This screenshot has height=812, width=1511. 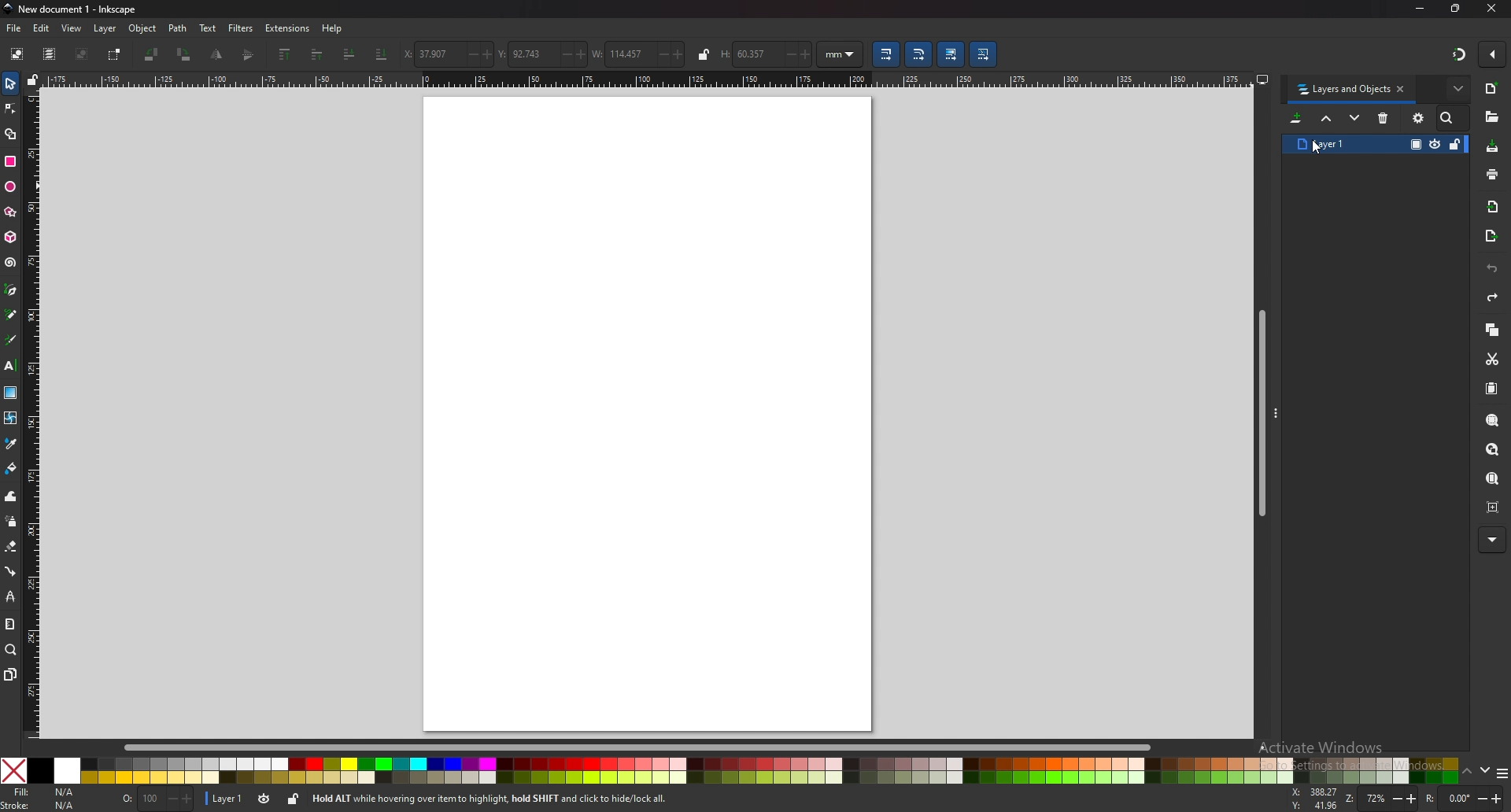 What do you see at coordinates (1492, 9) in the screenshot?
I see `close` at bounding box center [1492, 9].